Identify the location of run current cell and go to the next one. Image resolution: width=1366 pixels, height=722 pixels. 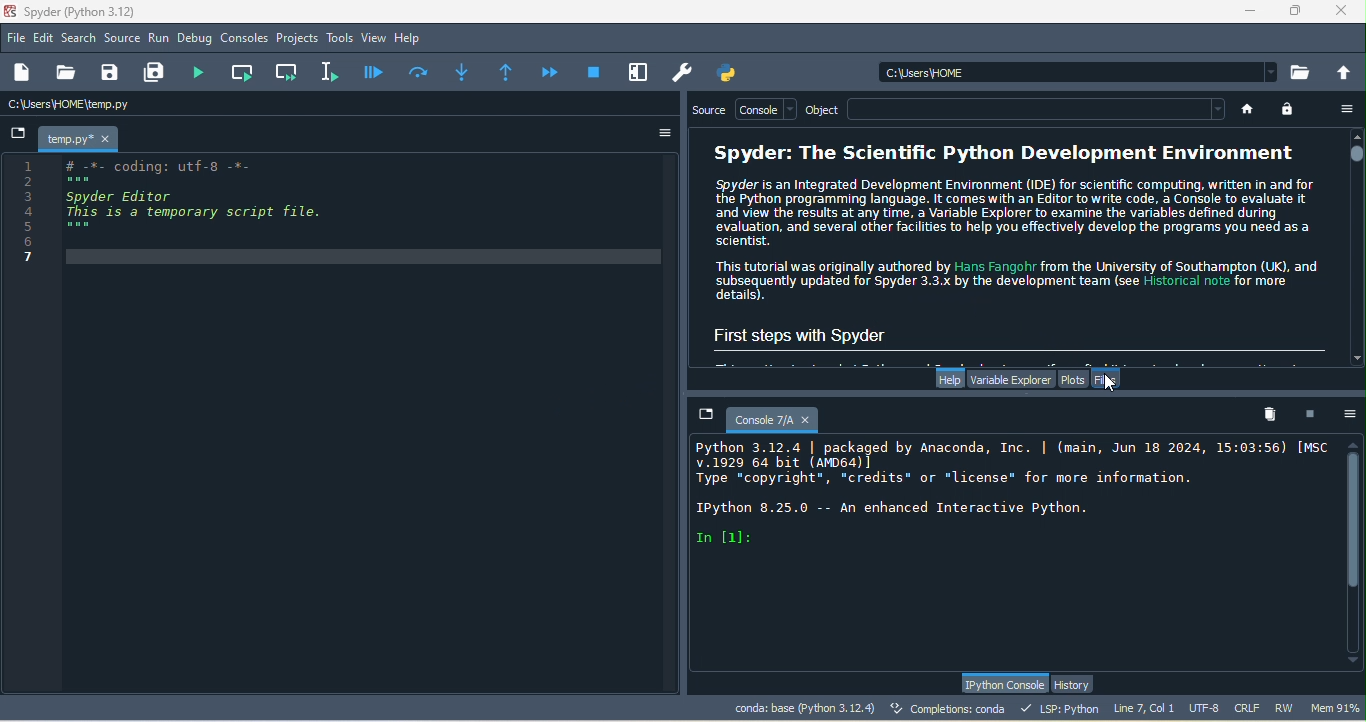
(288, 71).